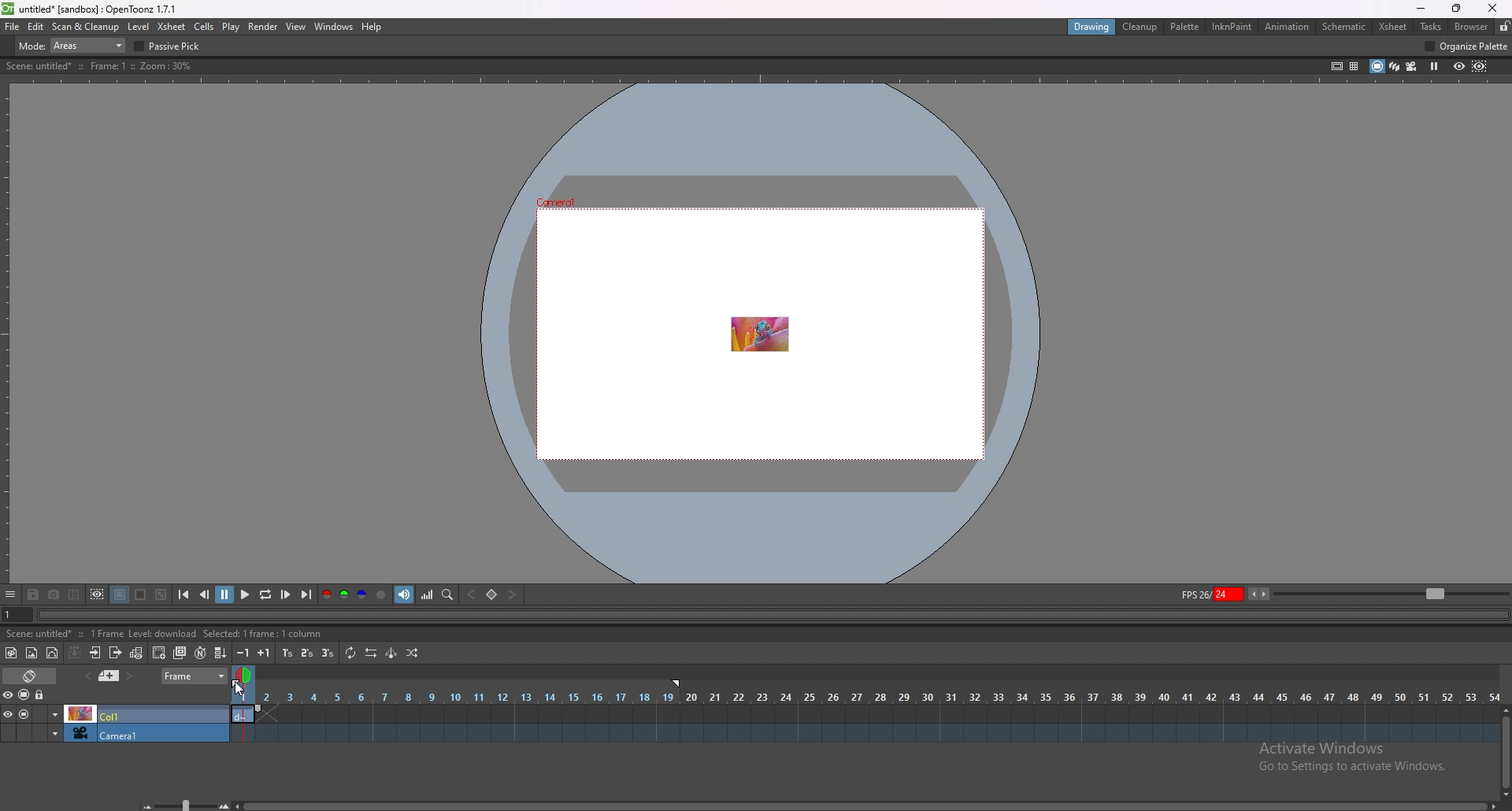 The image size is (1512, 811). I want to click on play, so click(231, 28).